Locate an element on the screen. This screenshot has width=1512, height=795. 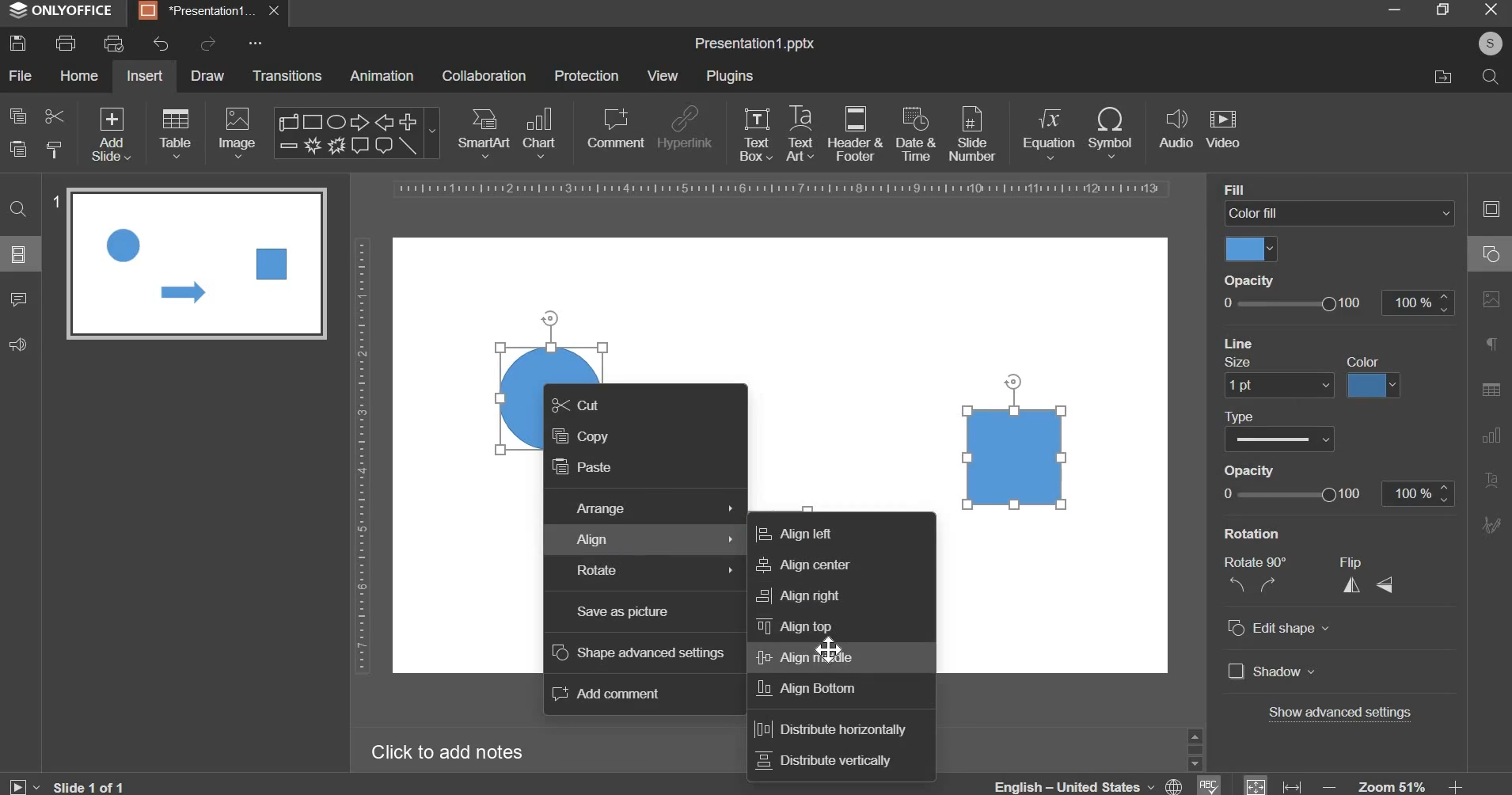
slide setting is located at coordinates (1490, 208).